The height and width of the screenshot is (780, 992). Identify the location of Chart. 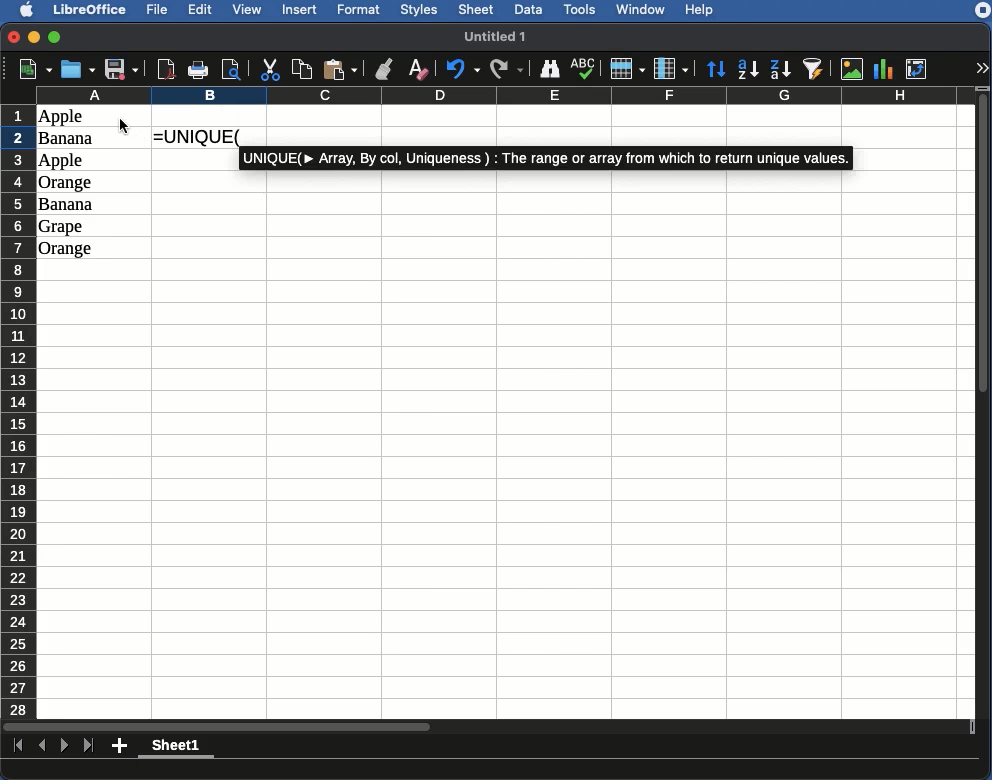
(884, 69).